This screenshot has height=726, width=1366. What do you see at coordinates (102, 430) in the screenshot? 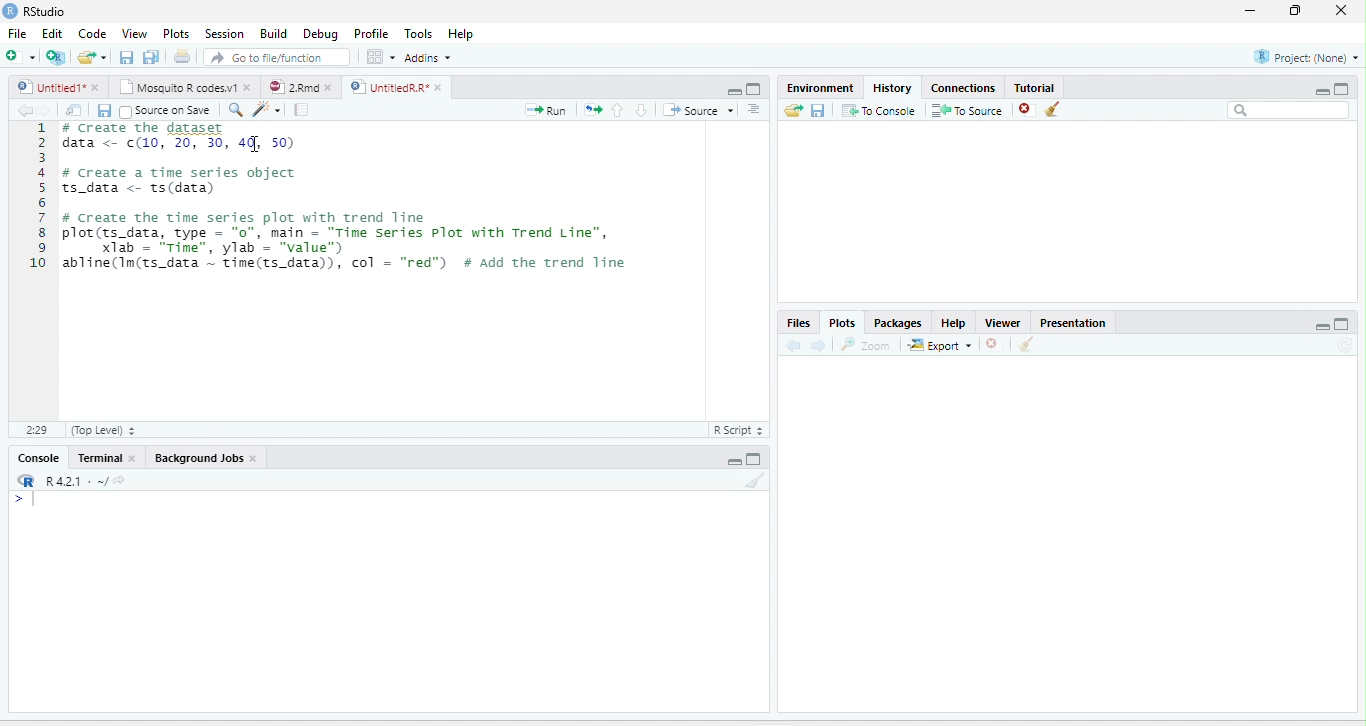
I see `(Top Level)` at bounding box center [102, 430].